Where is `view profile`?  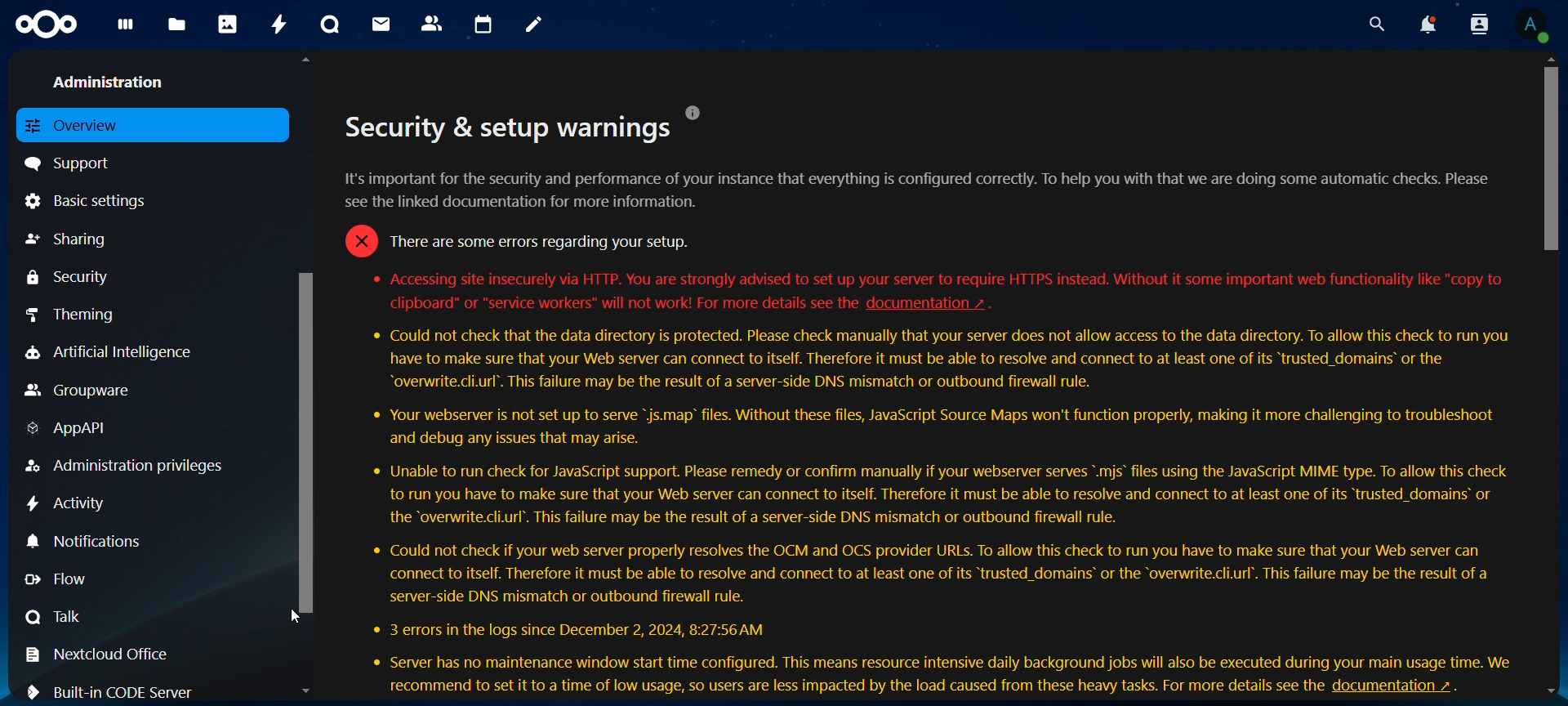
view profile is located at coordinates (1531, 25).